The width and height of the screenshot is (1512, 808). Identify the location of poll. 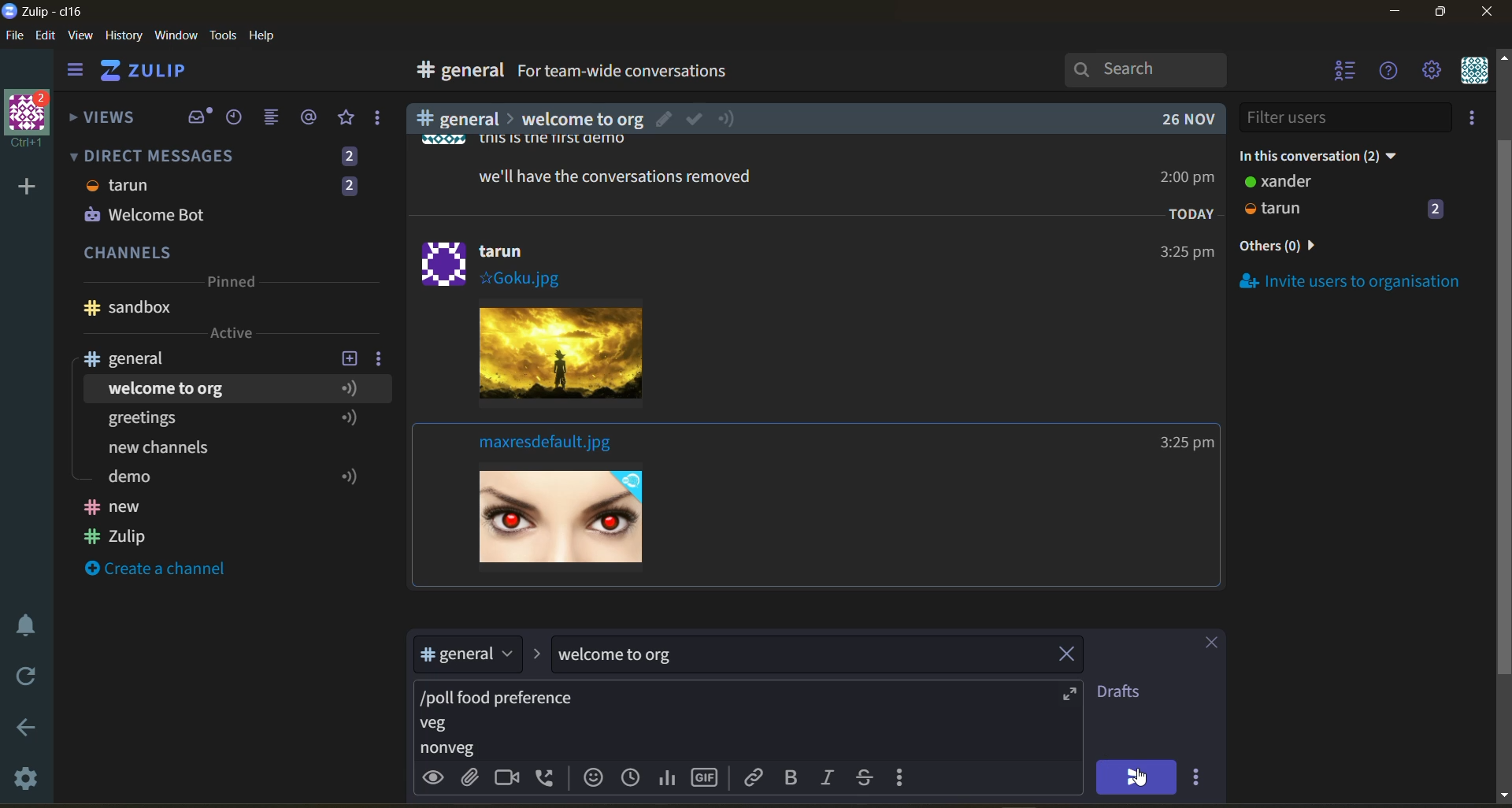
(671, 778).